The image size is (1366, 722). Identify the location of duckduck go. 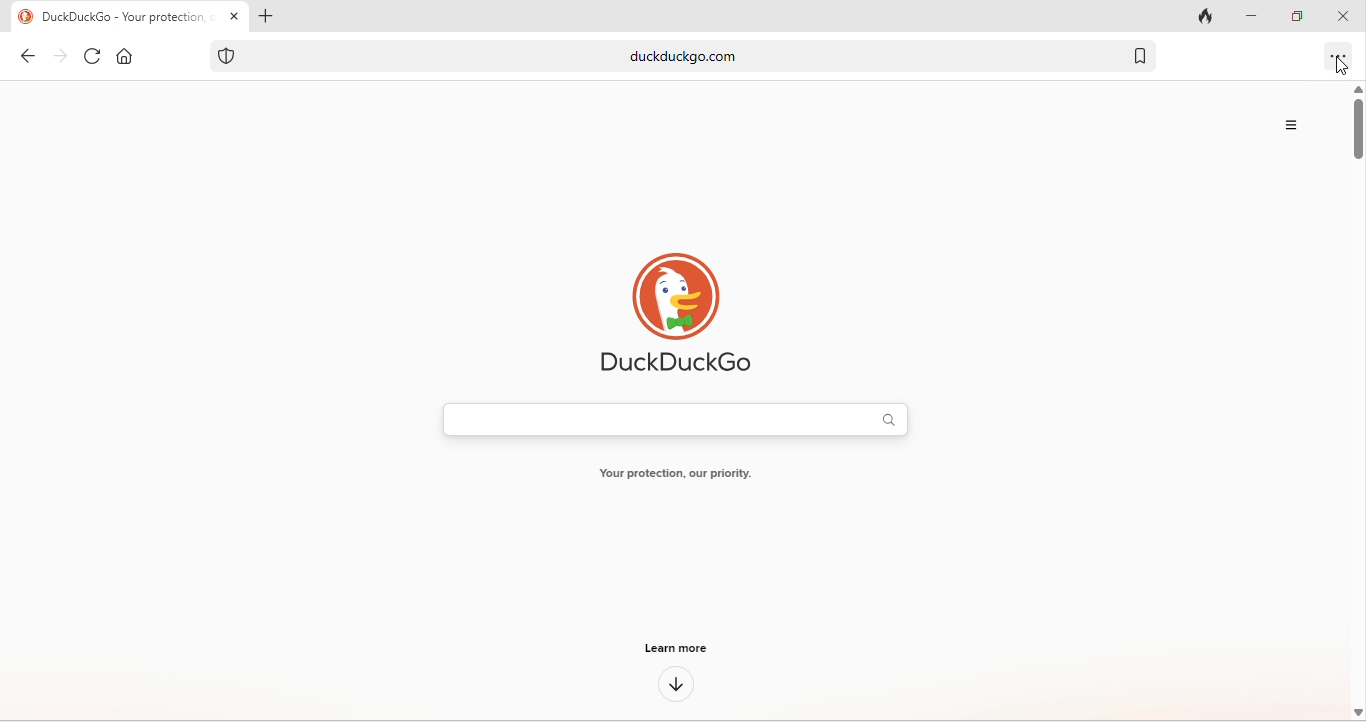
(688, 366).